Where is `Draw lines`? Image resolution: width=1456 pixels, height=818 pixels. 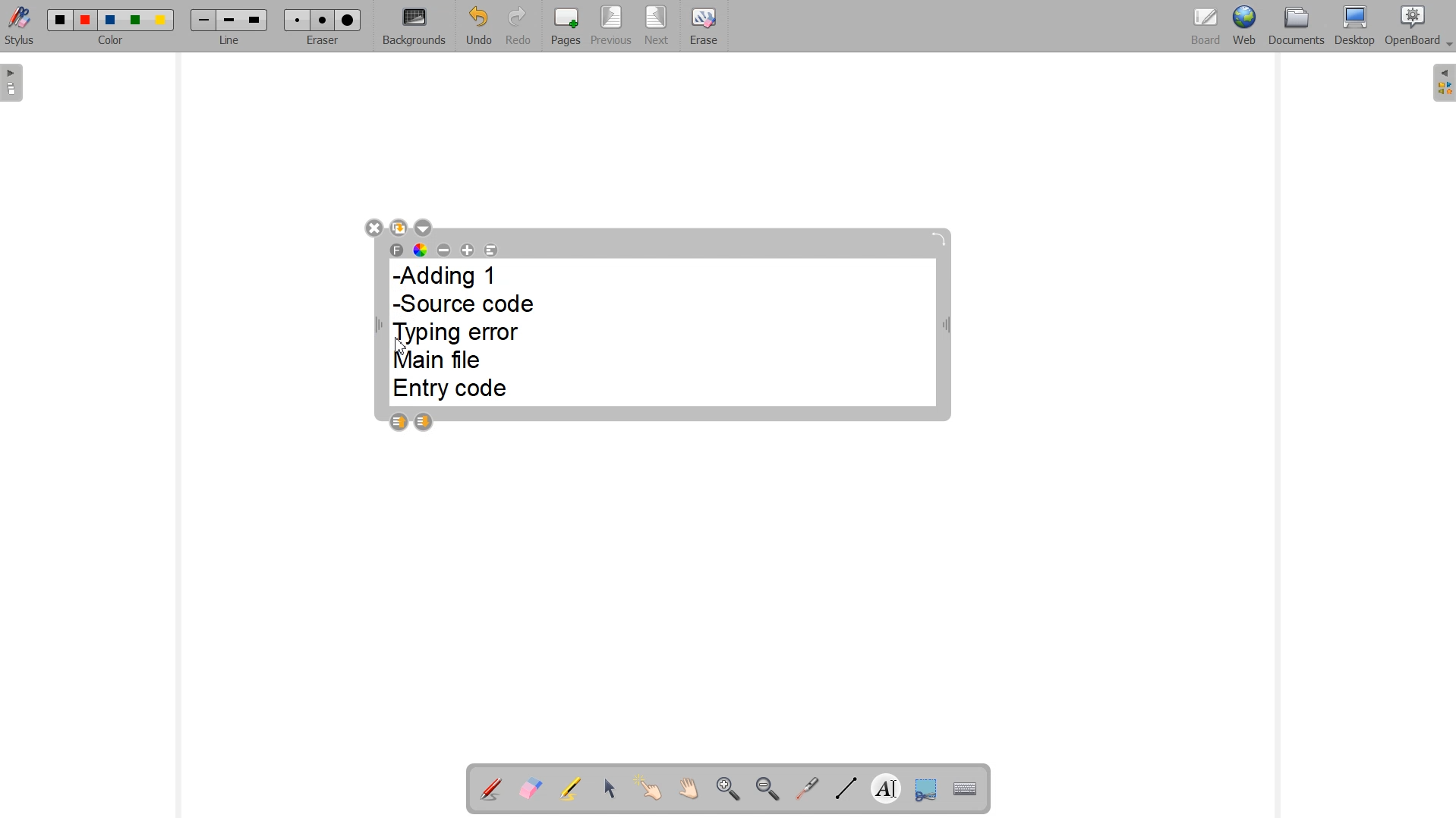
Draw lines is located at coordinates (844, 788).